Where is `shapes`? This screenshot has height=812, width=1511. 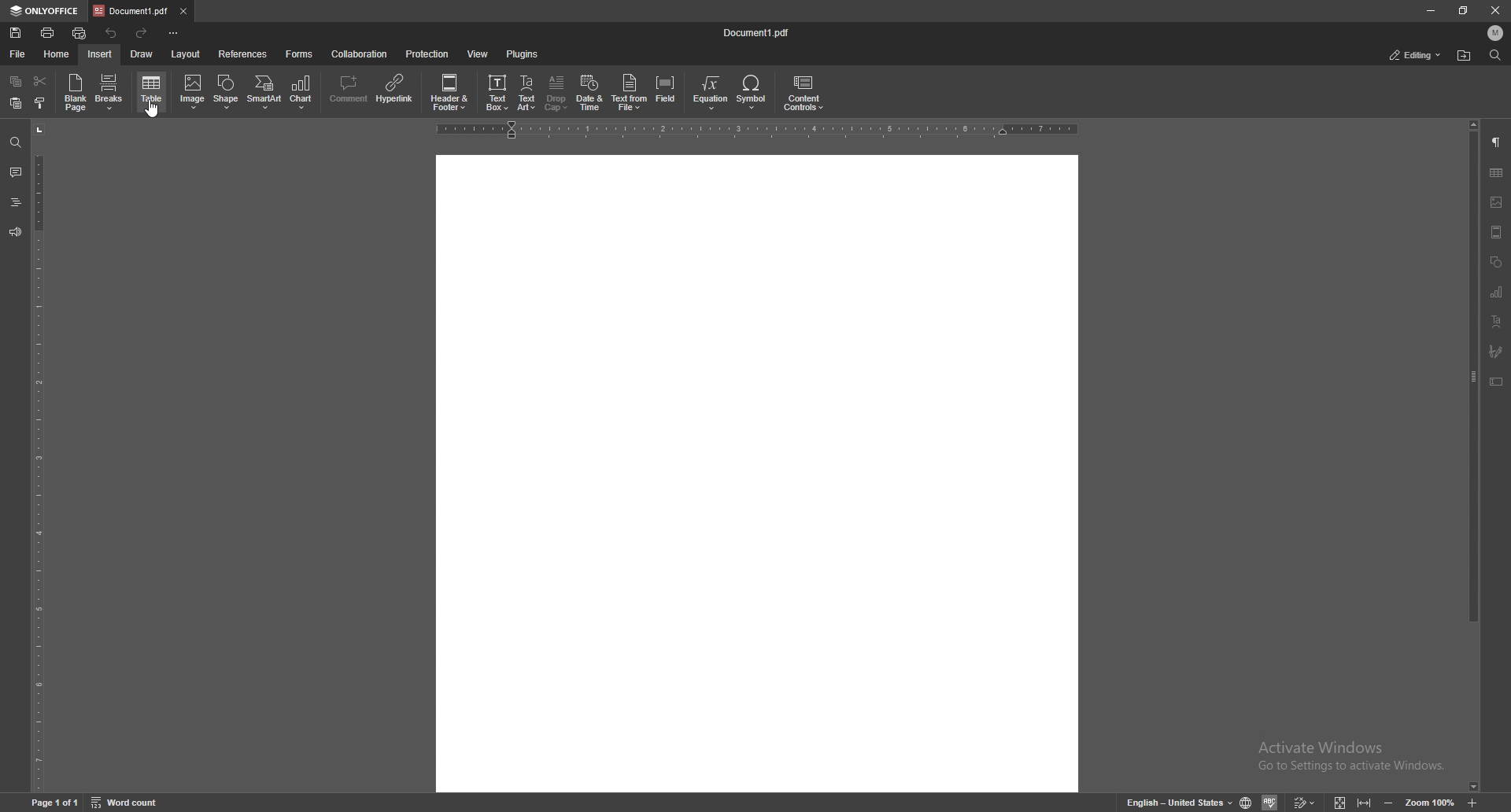 shapes is located at coordinates (1495, 263).